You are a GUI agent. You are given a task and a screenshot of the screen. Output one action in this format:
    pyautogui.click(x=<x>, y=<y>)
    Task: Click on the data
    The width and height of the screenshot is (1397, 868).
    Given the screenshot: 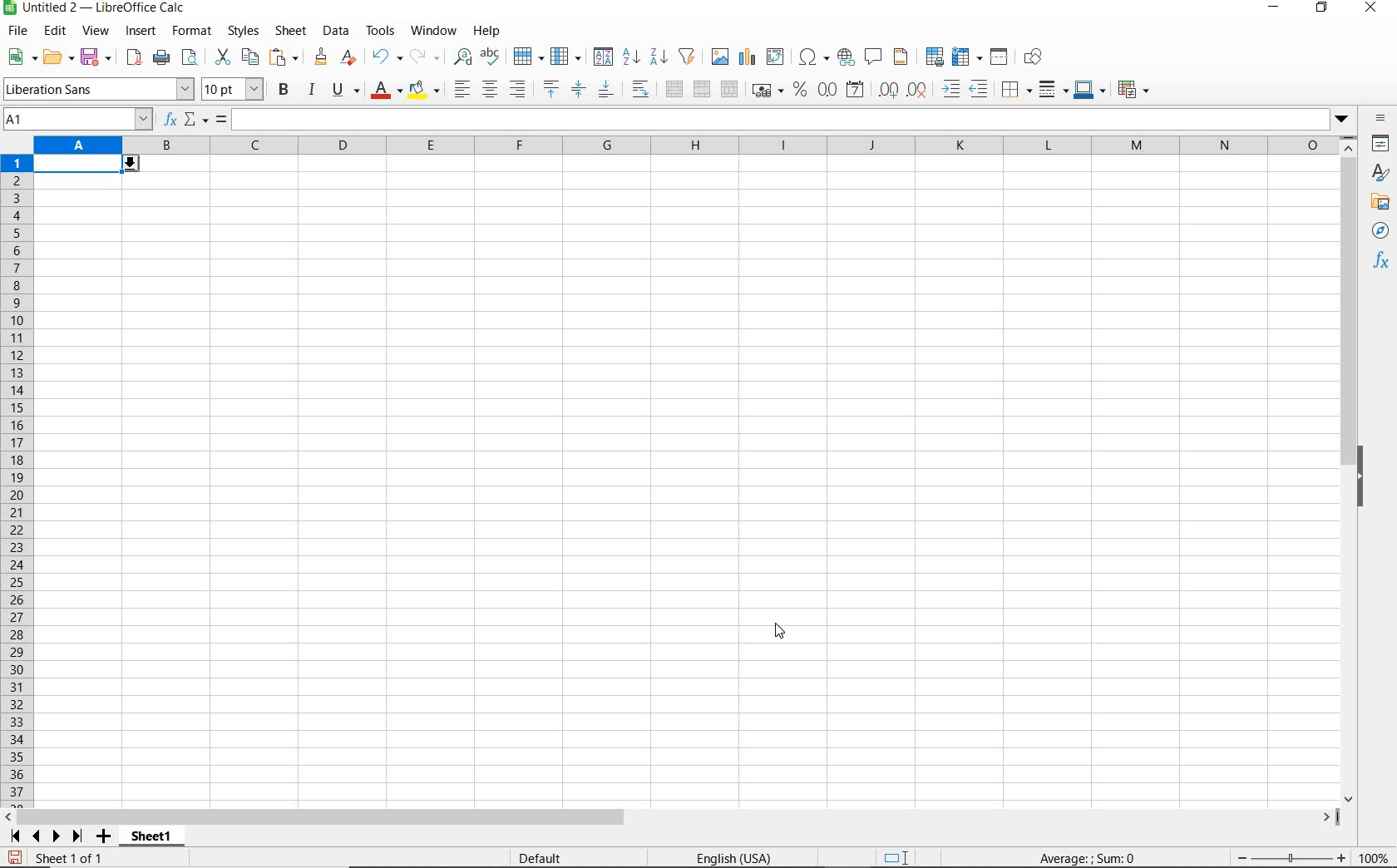 What is the action you would take?
    pyautogui.click(x=335, y=30)
    